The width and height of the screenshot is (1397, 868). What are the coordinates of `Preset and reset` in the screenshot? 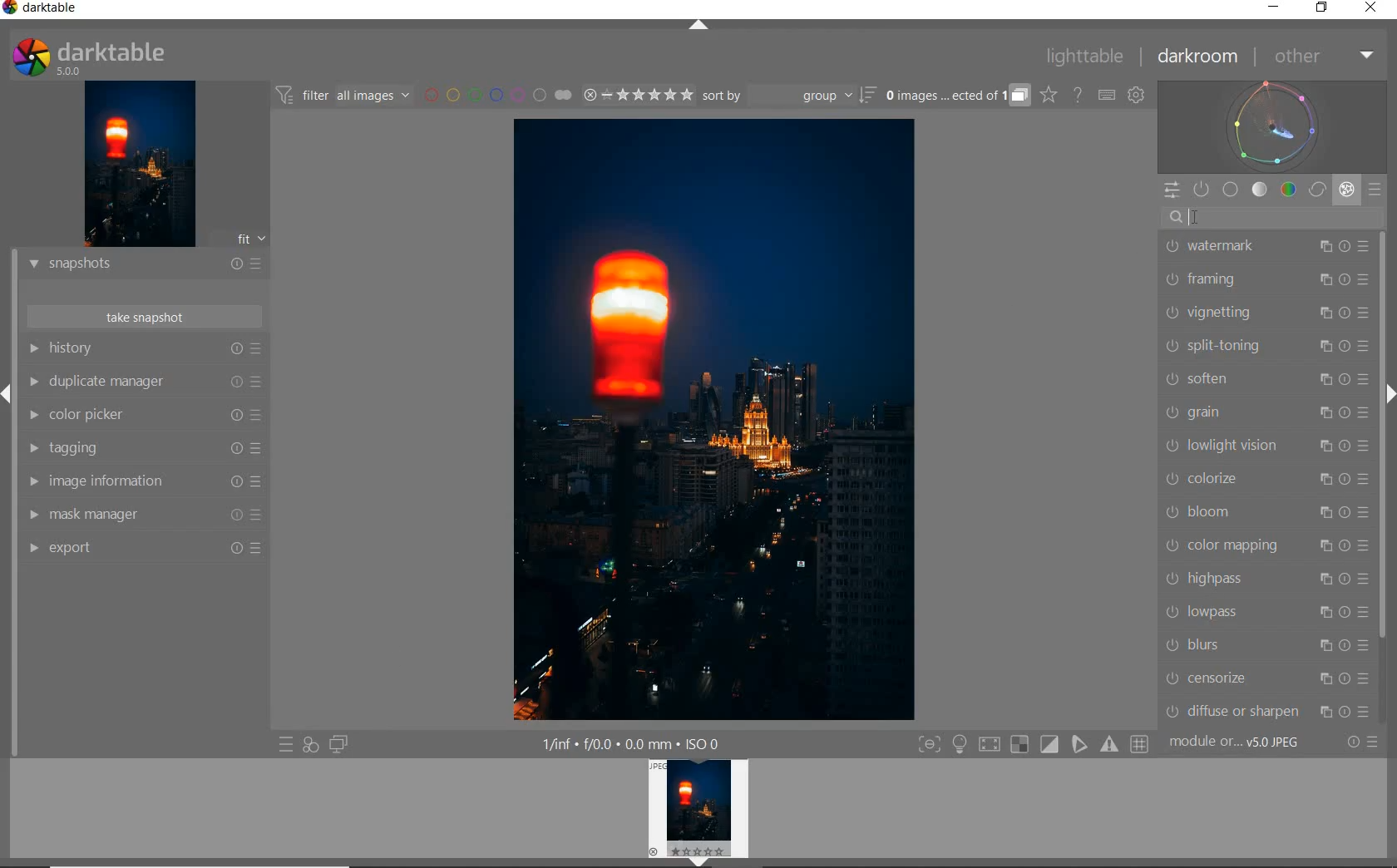 It's located at (1380, 743).